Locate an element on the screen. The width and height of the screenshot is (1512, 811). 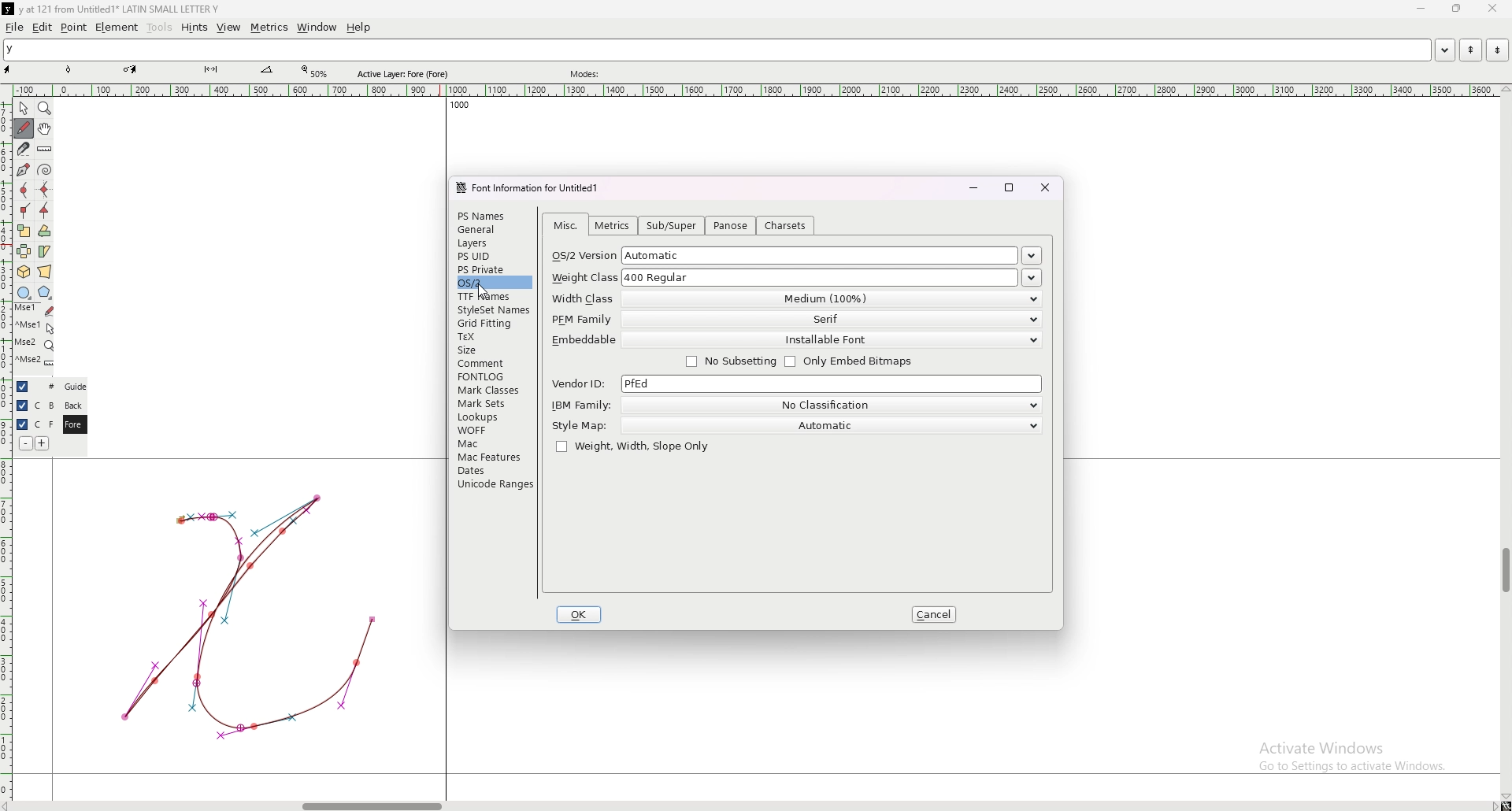
add a point, then drag out its control points is located at coordinates (22, 168).